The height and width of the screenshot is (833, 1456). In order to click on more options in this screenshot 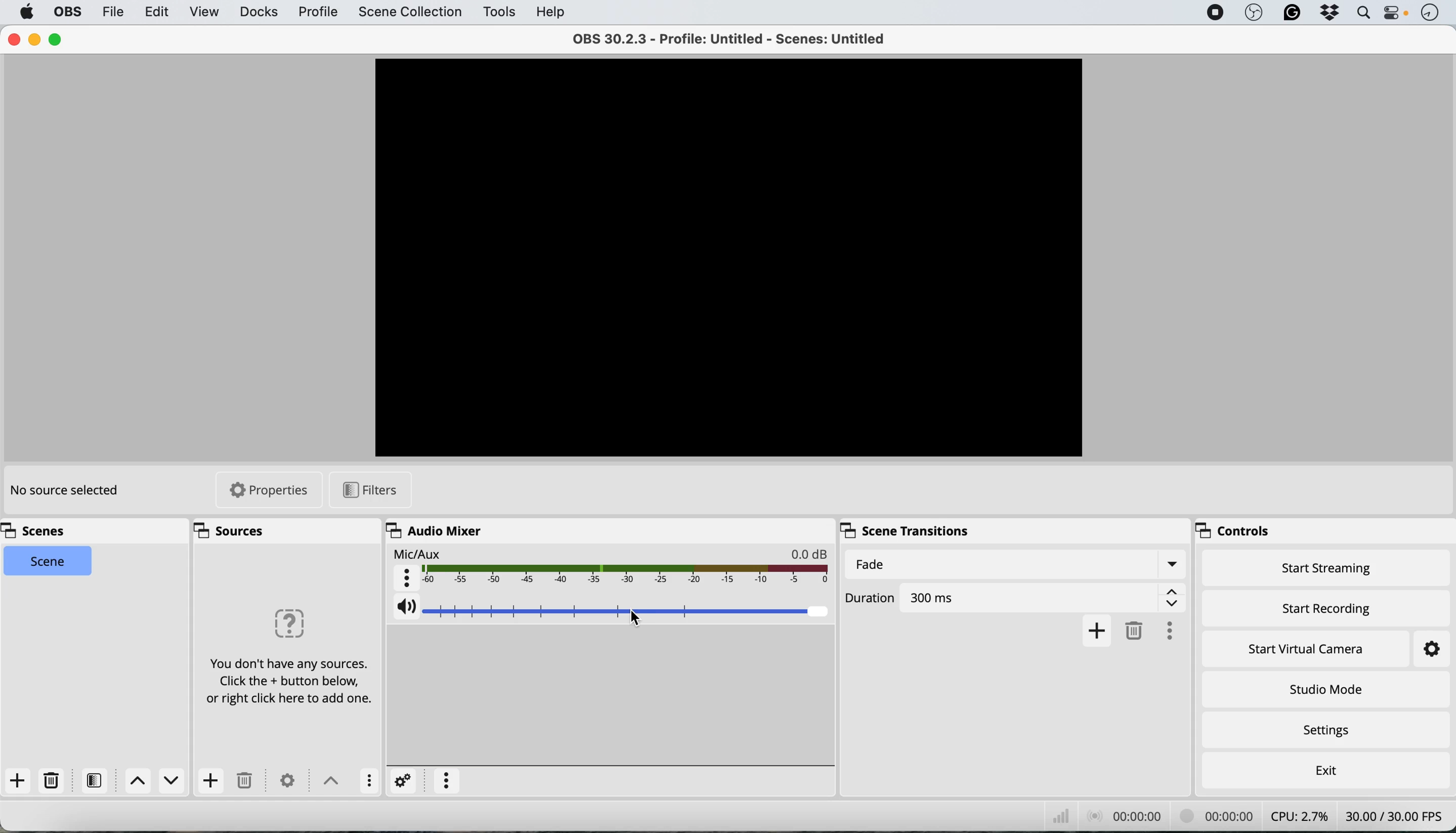, I will do `click(369, 782)`.